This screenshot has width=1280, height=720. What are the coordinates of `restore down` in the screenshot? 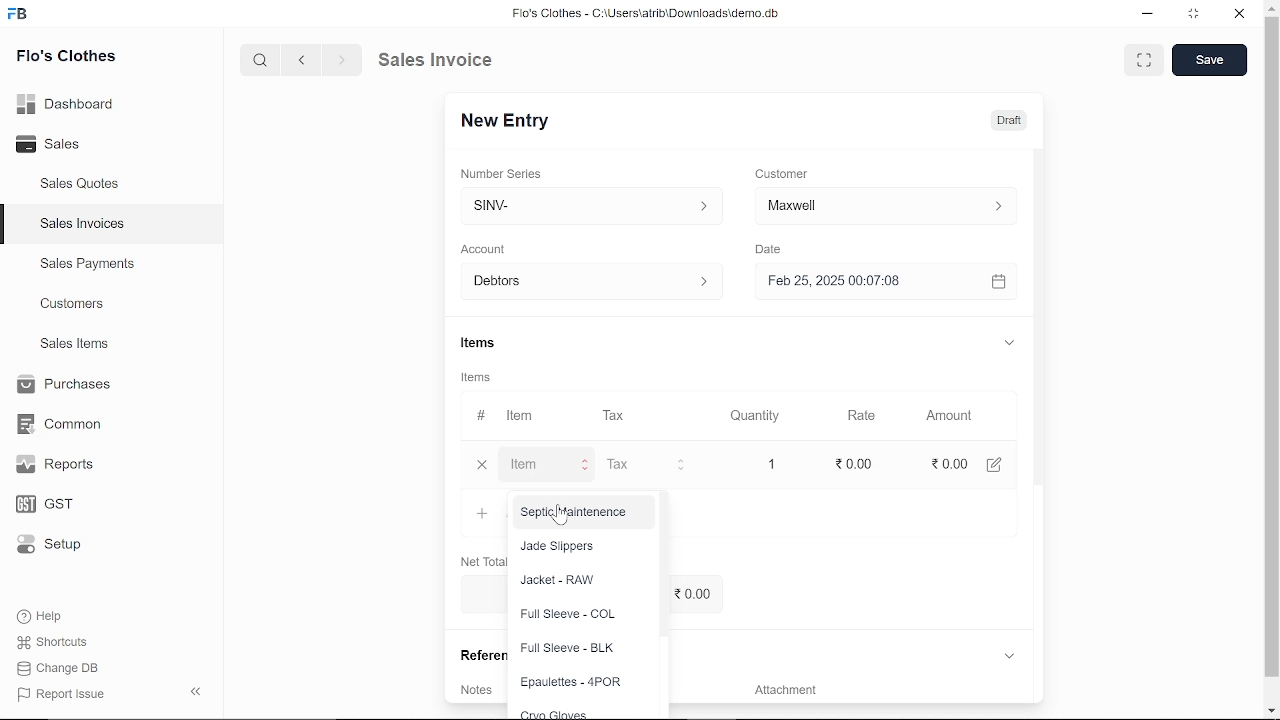 It's located at (1196, 15).